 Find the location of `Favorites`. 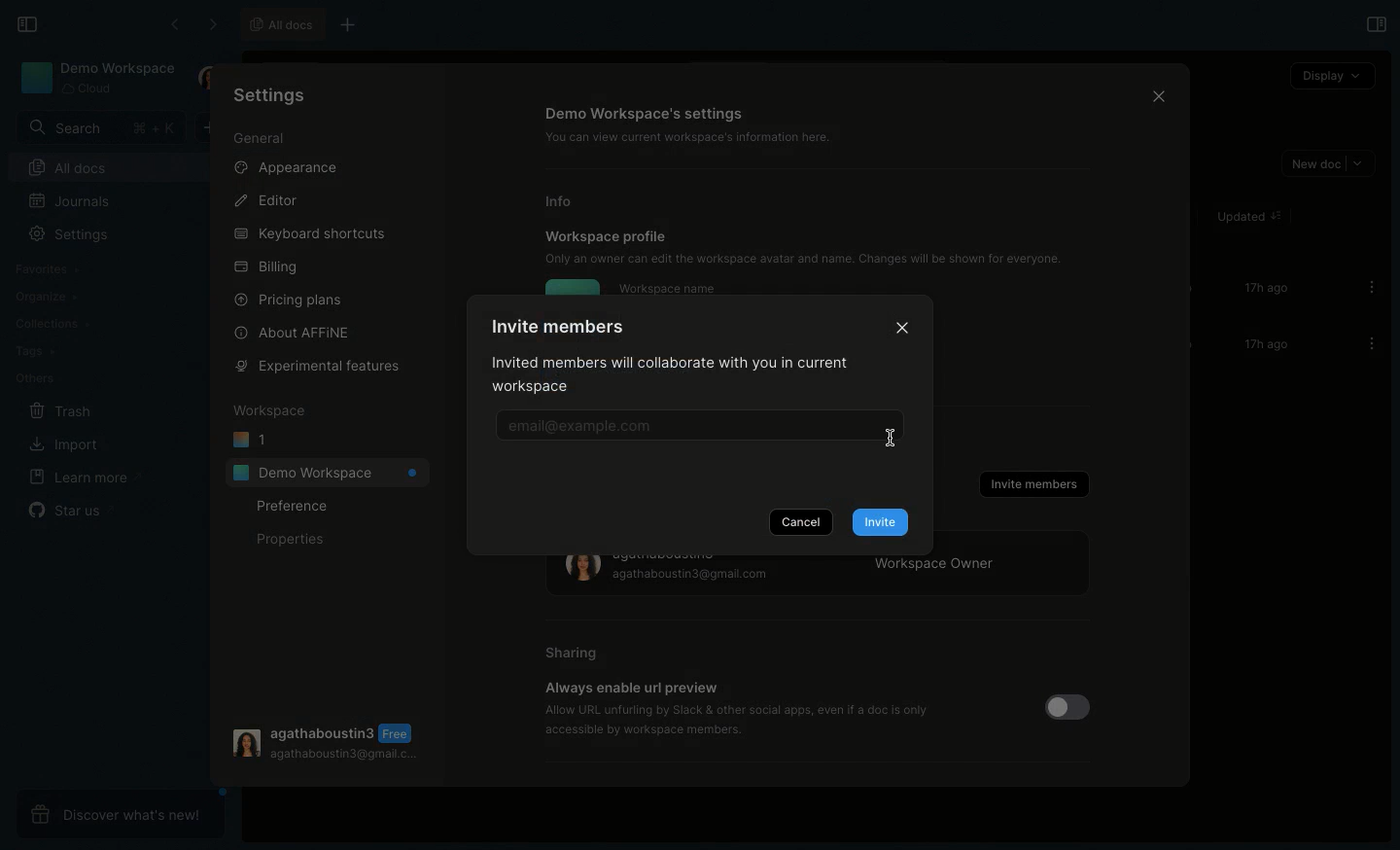

Favorites is located at coordinates (52, 266).